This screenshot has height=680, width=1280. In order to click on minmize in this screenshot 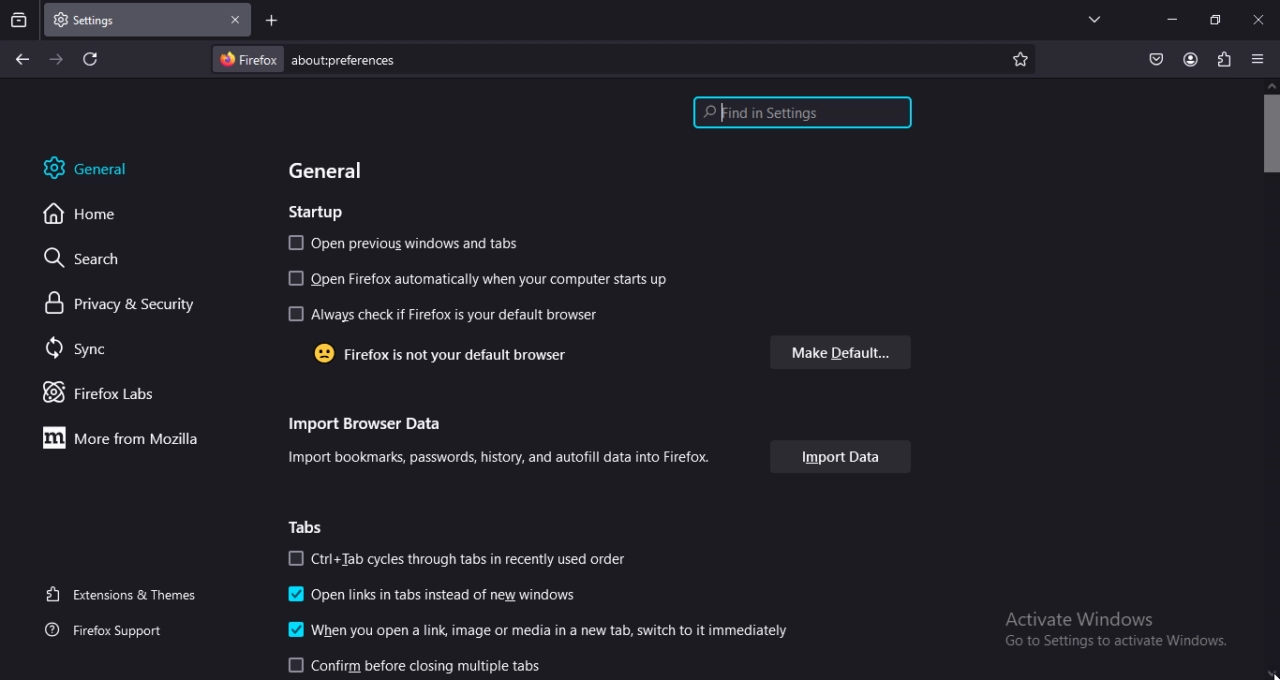, I will do `click(1170, 18)`.